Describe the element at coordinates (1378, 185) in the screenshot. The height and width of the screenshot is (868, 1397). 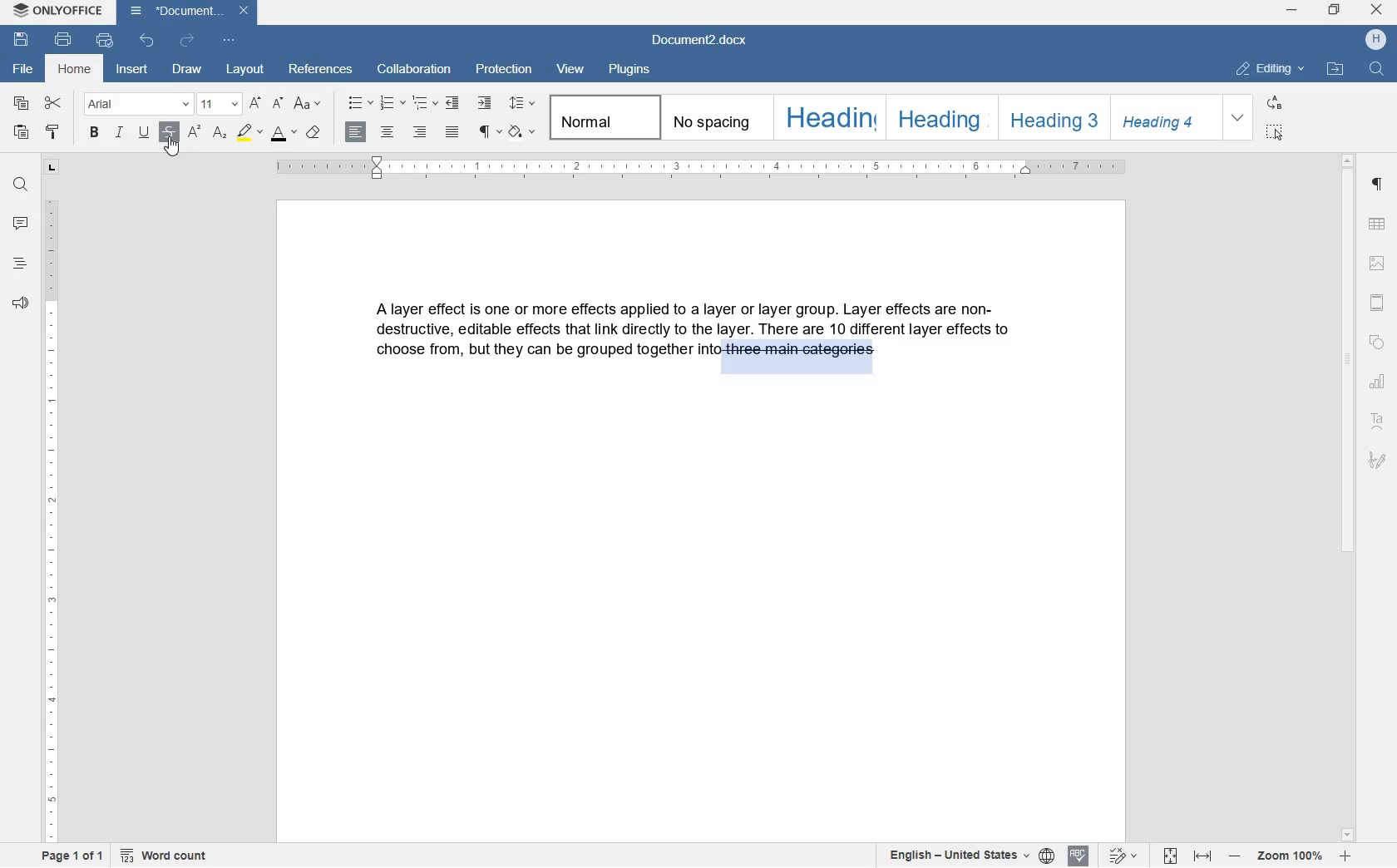
I see `paragraph setting` at that location.